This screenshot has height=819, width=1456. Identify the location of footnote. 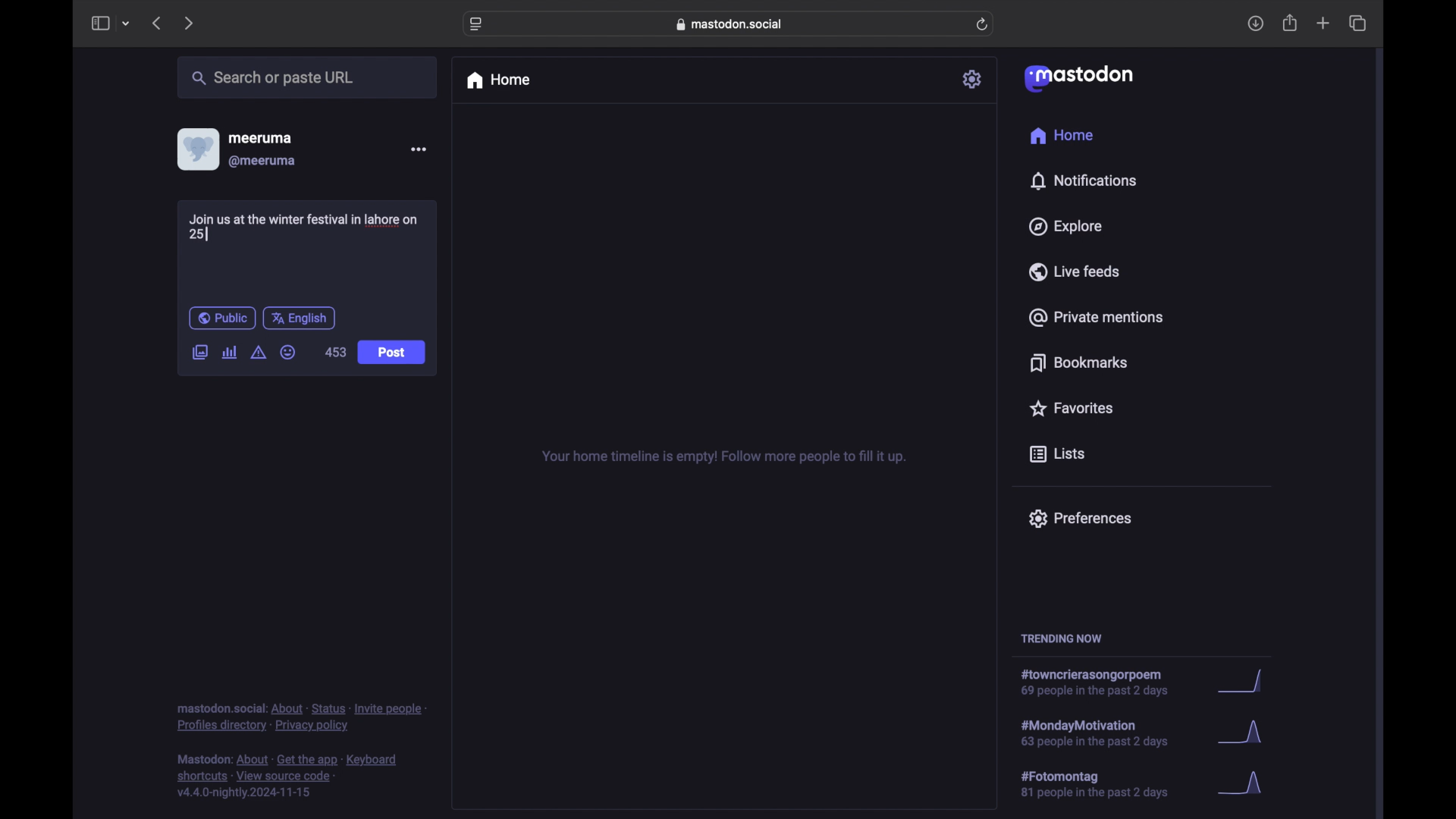
(290, 777).